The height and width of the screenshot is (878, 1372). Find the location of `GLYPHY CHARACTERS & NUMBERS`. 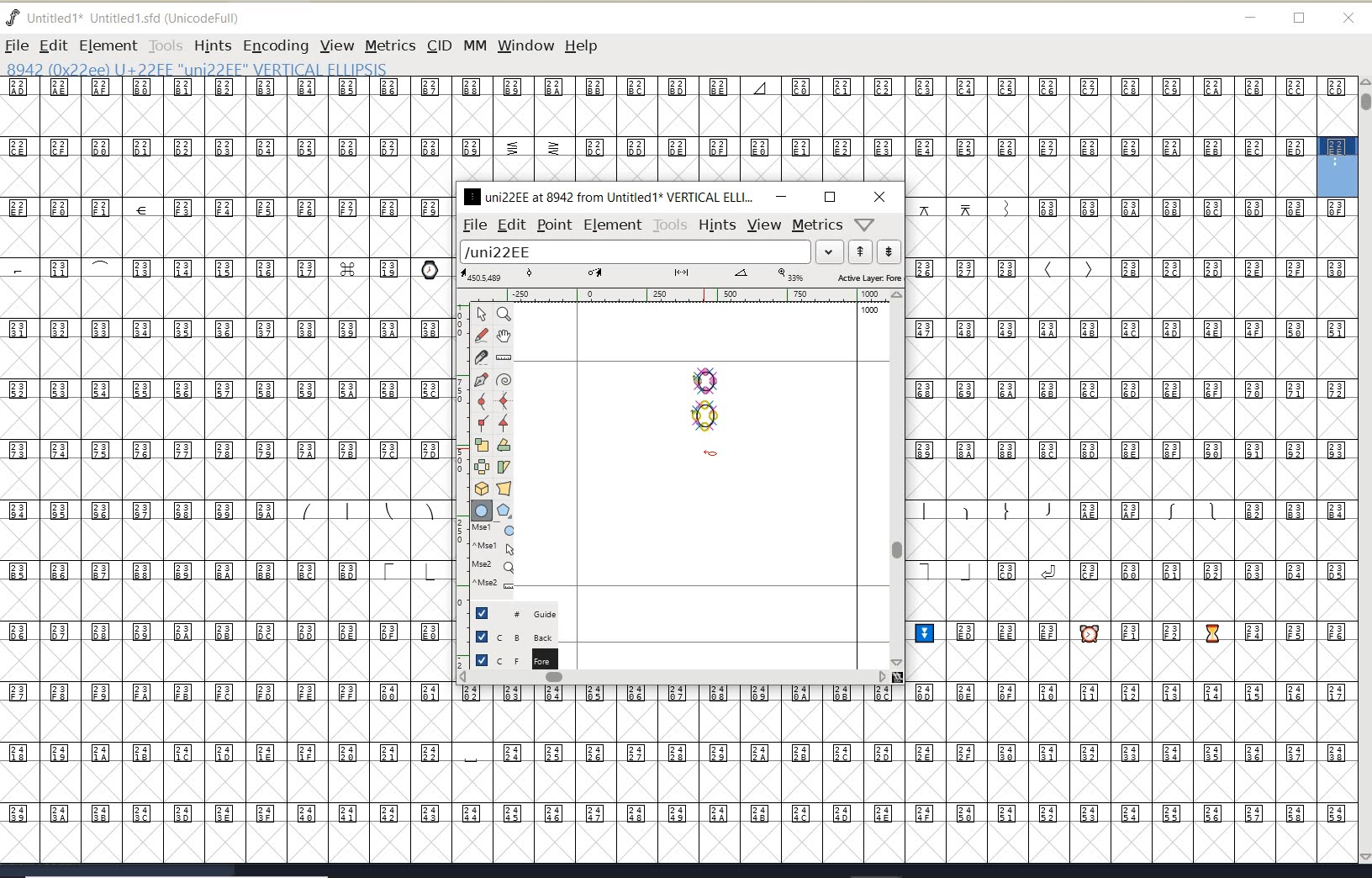

GLYPHY CHARACTERS & NUMBERS is located at coordinates (455, 773).